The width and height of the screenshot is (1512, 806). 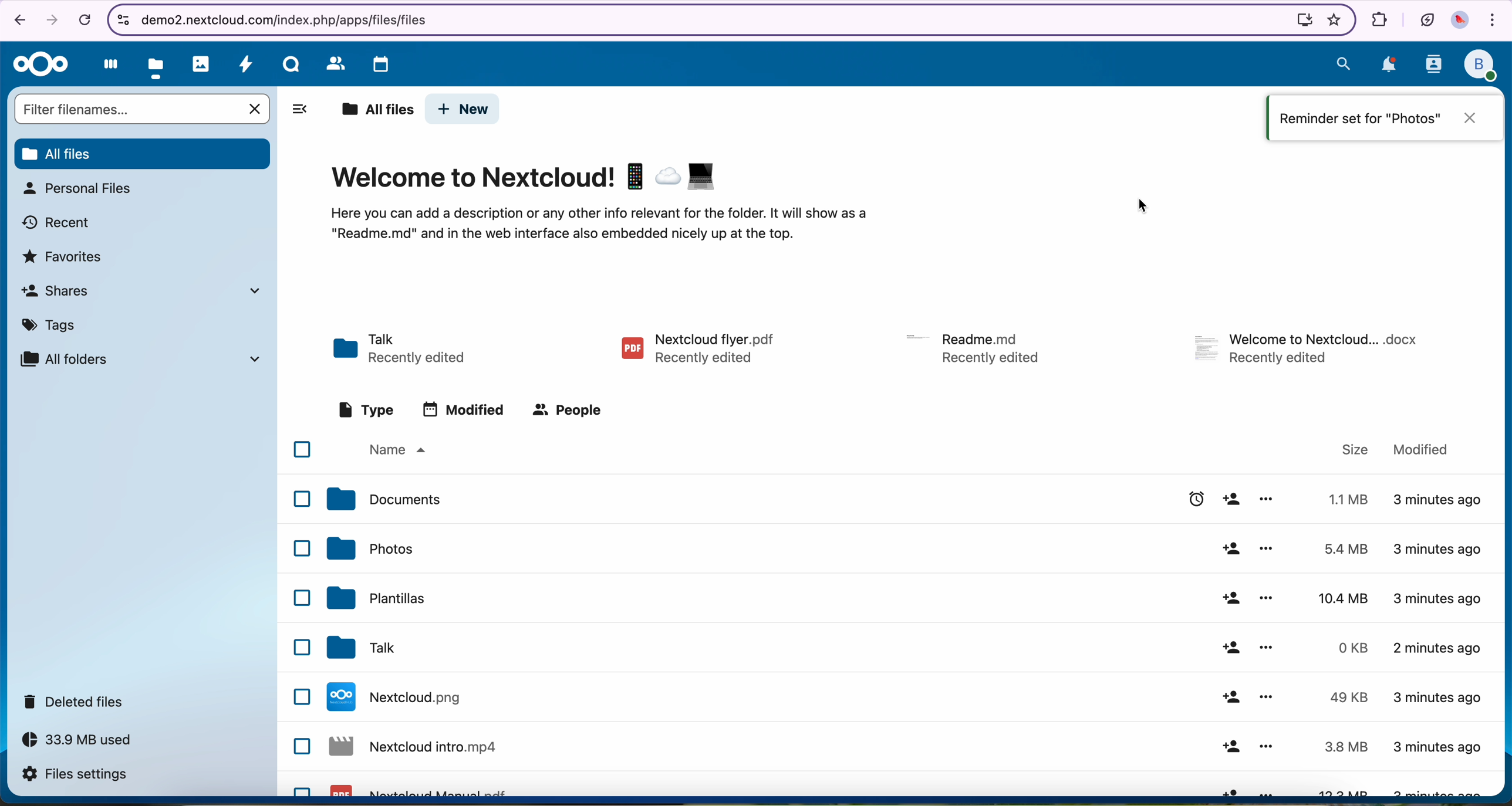 I want to click on extensions, so click(x=1377, y=18).